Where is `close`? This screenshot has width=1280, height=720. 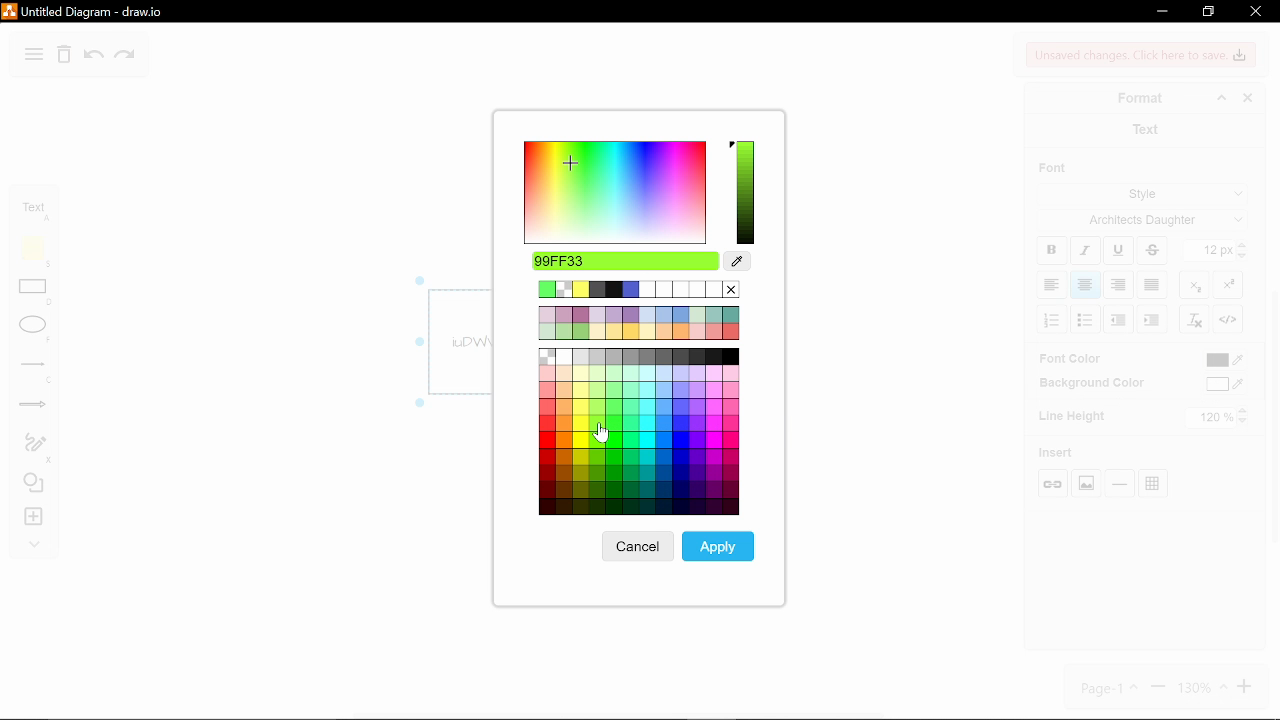
close is located at coordinates (1255, 11).